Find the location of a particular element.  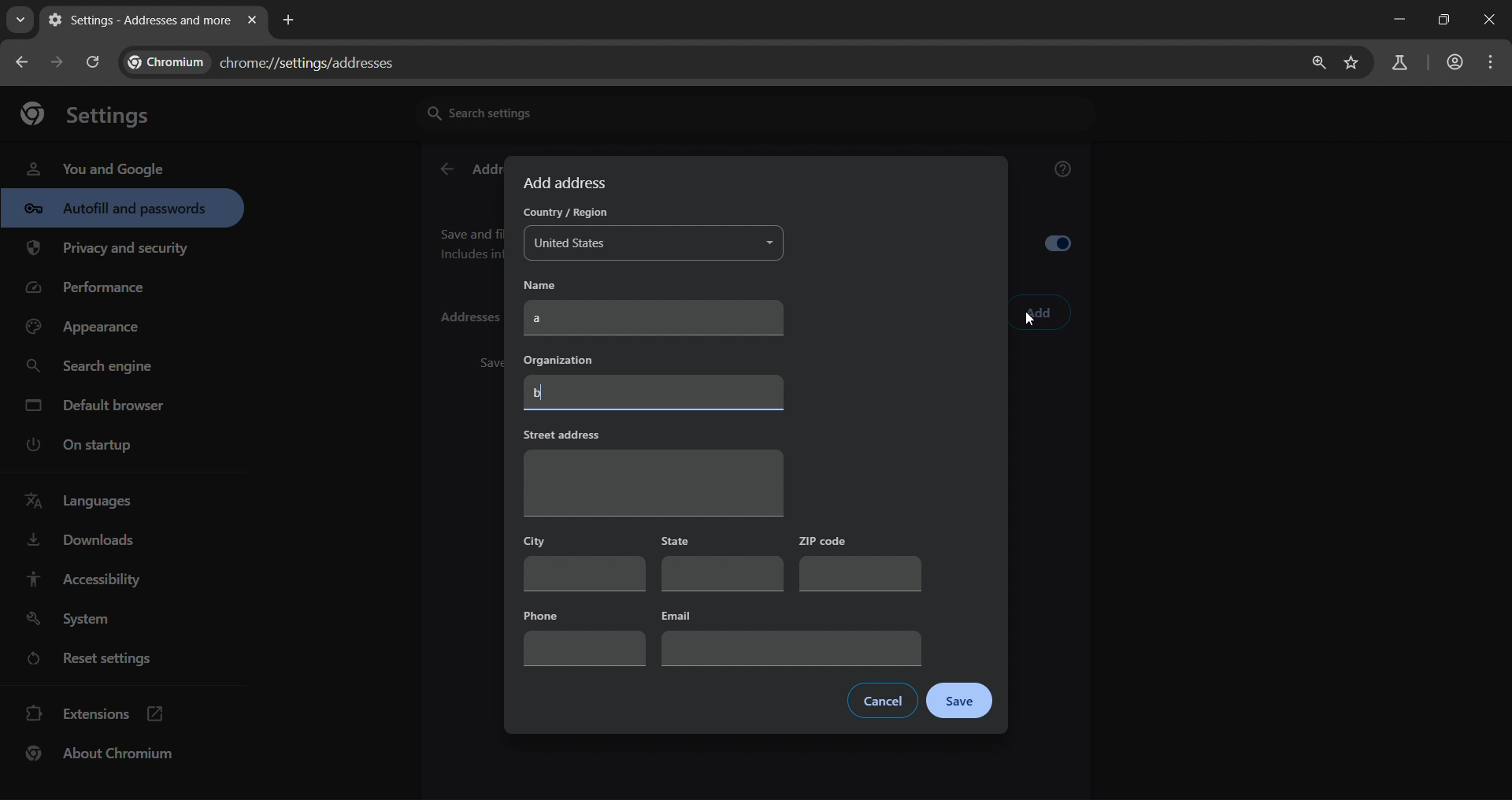

name is located at coordinates (552, 284).